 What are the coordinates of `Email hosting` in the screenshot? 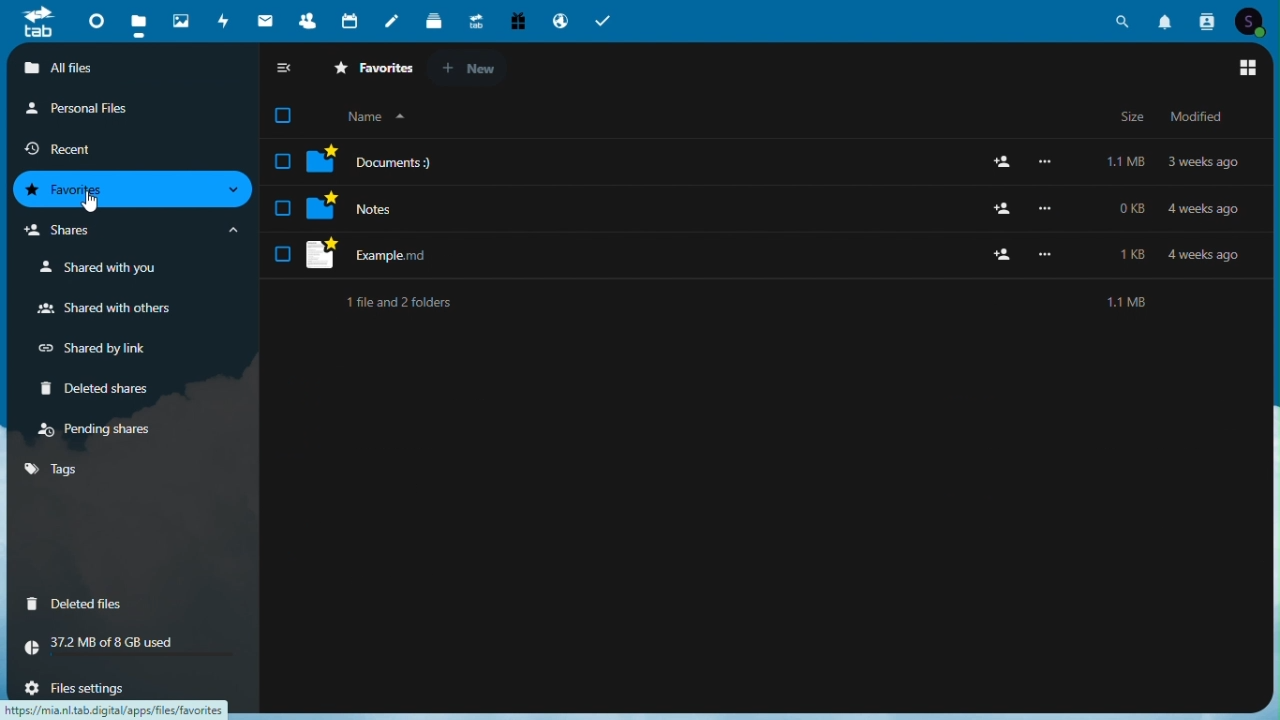 It's located at (560, 18).